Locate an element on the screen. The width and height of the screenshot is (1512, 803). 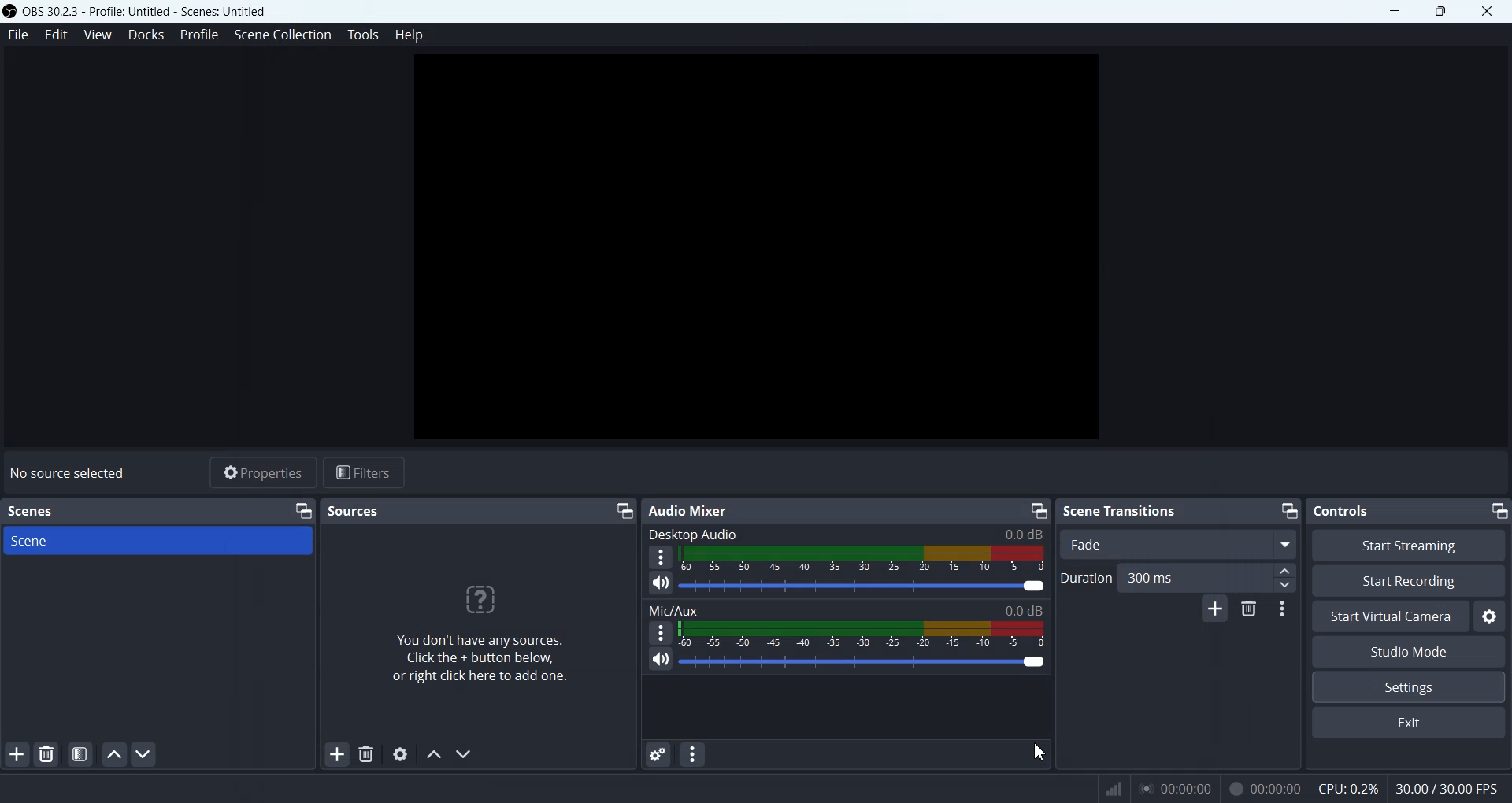
More is located at coordinates (660, 557).